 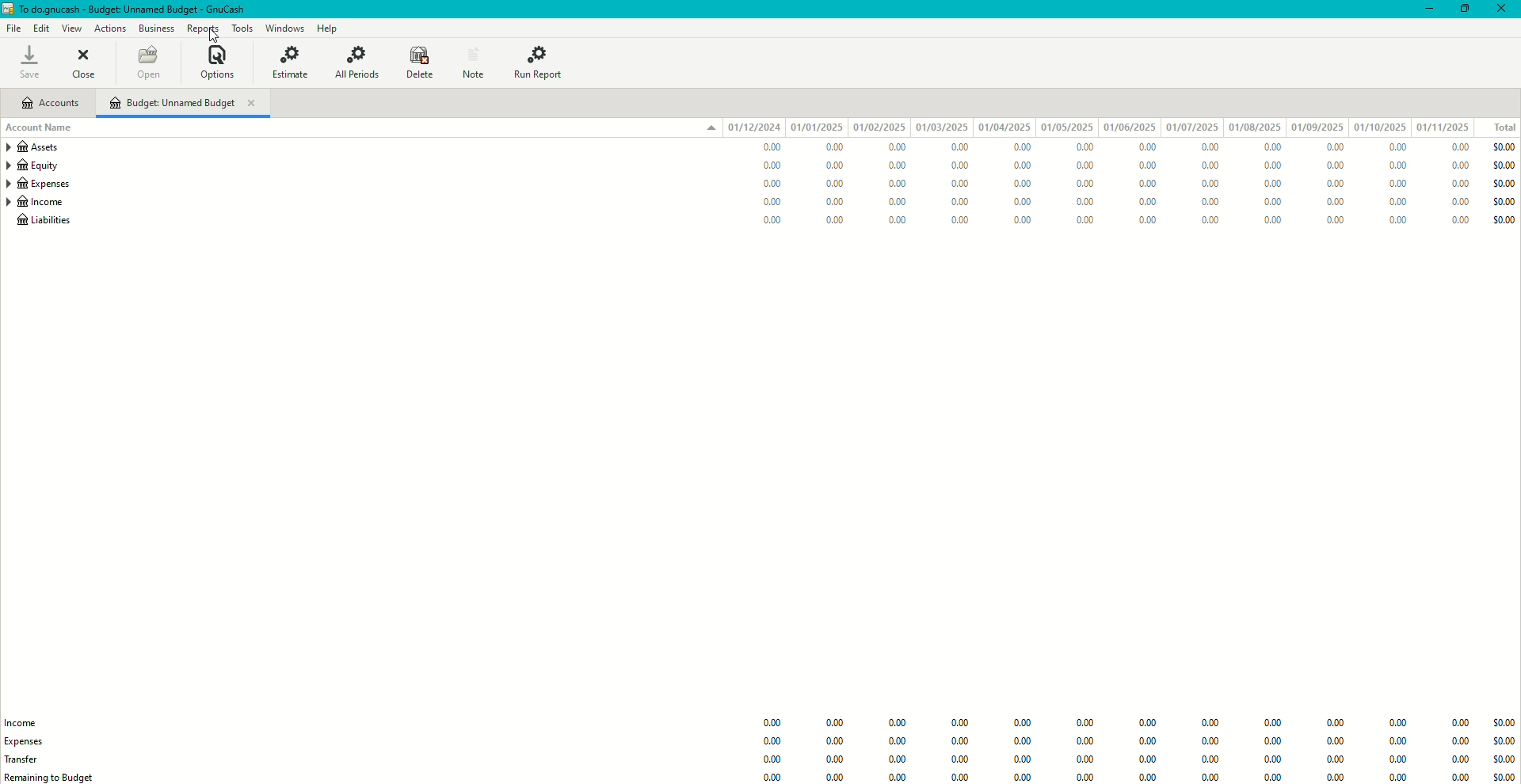 I want to click on cursor, so click(x=208, y=35).